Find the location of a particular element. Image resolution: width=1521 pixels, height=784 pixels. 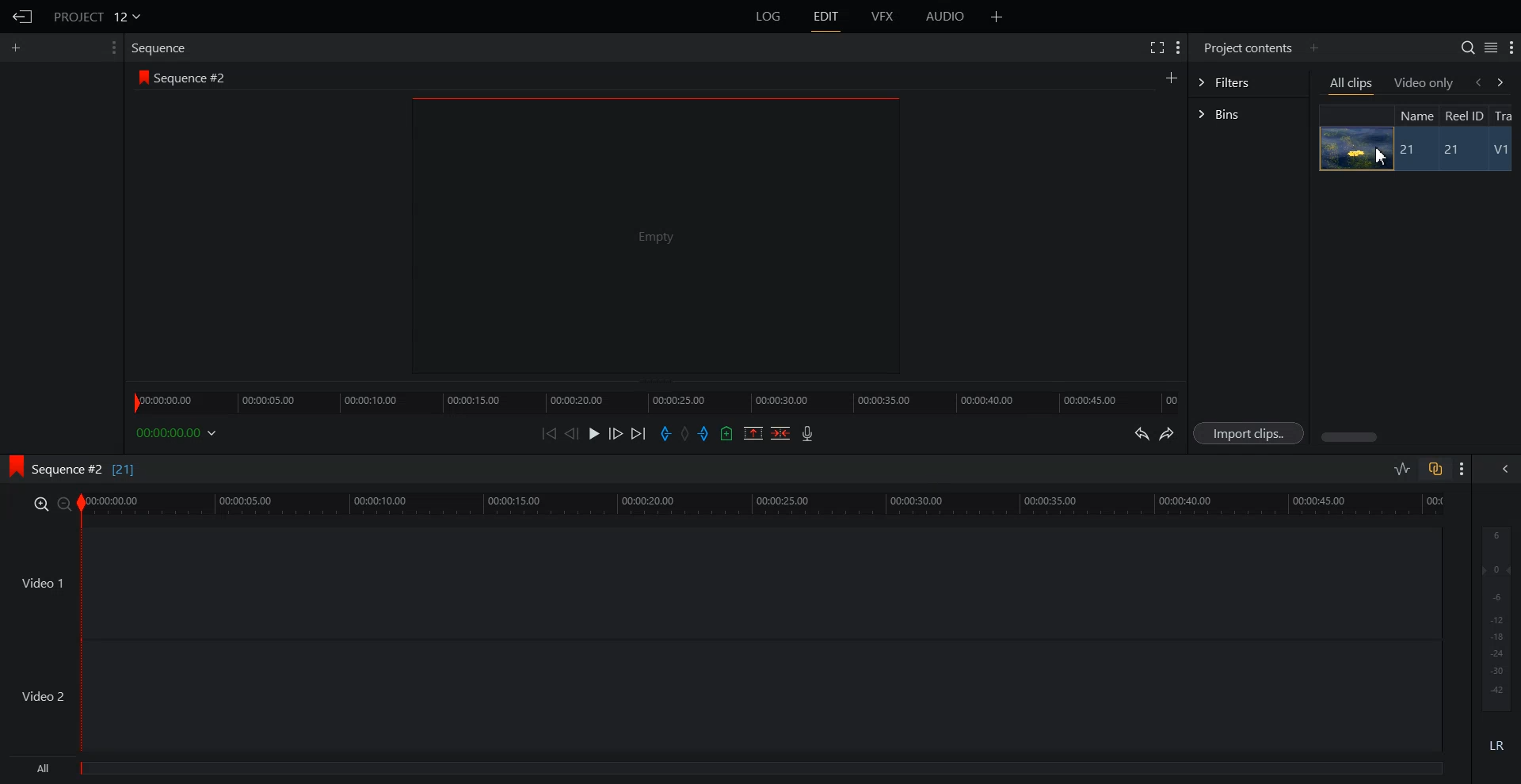

Clear all marks is located at coordinates (686, 434).